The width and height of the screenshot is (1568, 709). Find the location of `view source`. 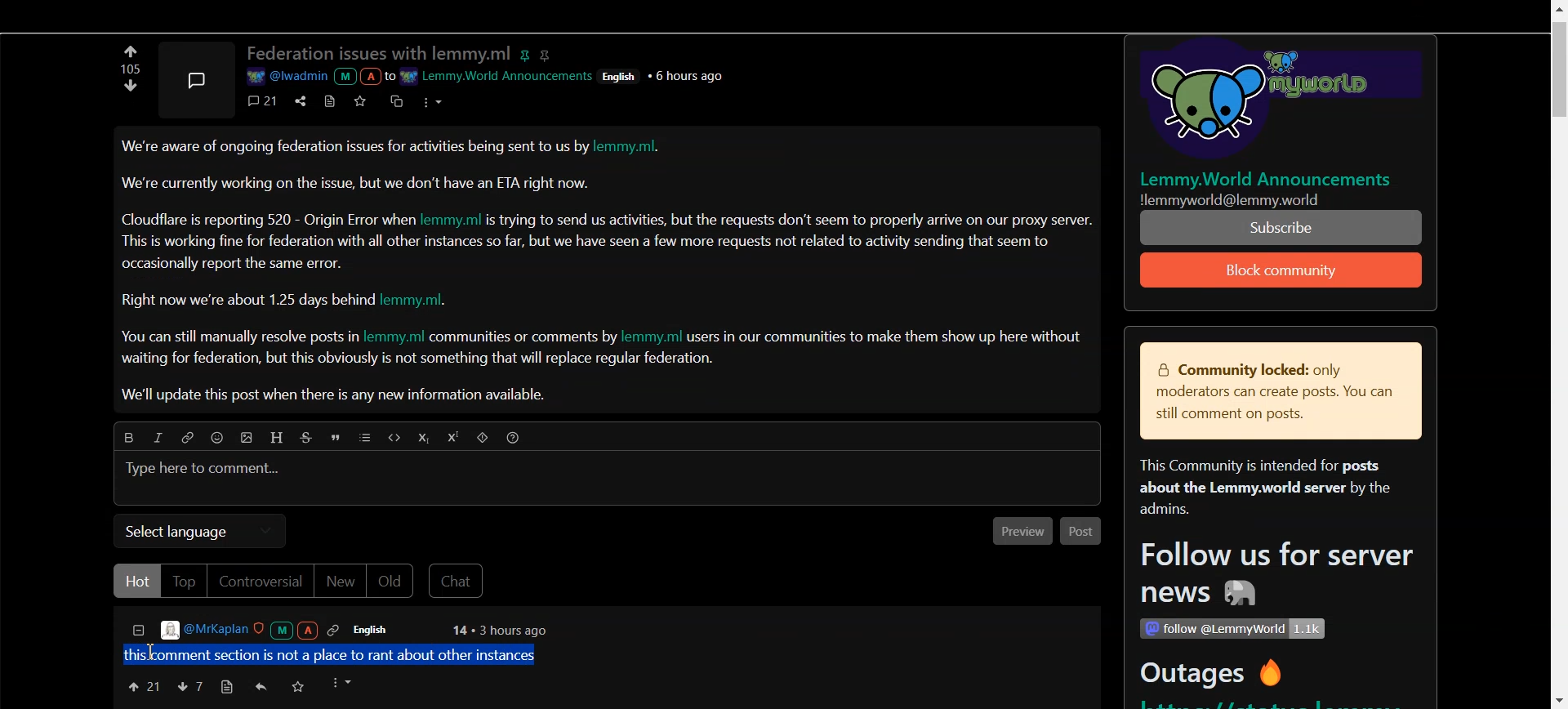

view source is located at coordinates (330, 100).